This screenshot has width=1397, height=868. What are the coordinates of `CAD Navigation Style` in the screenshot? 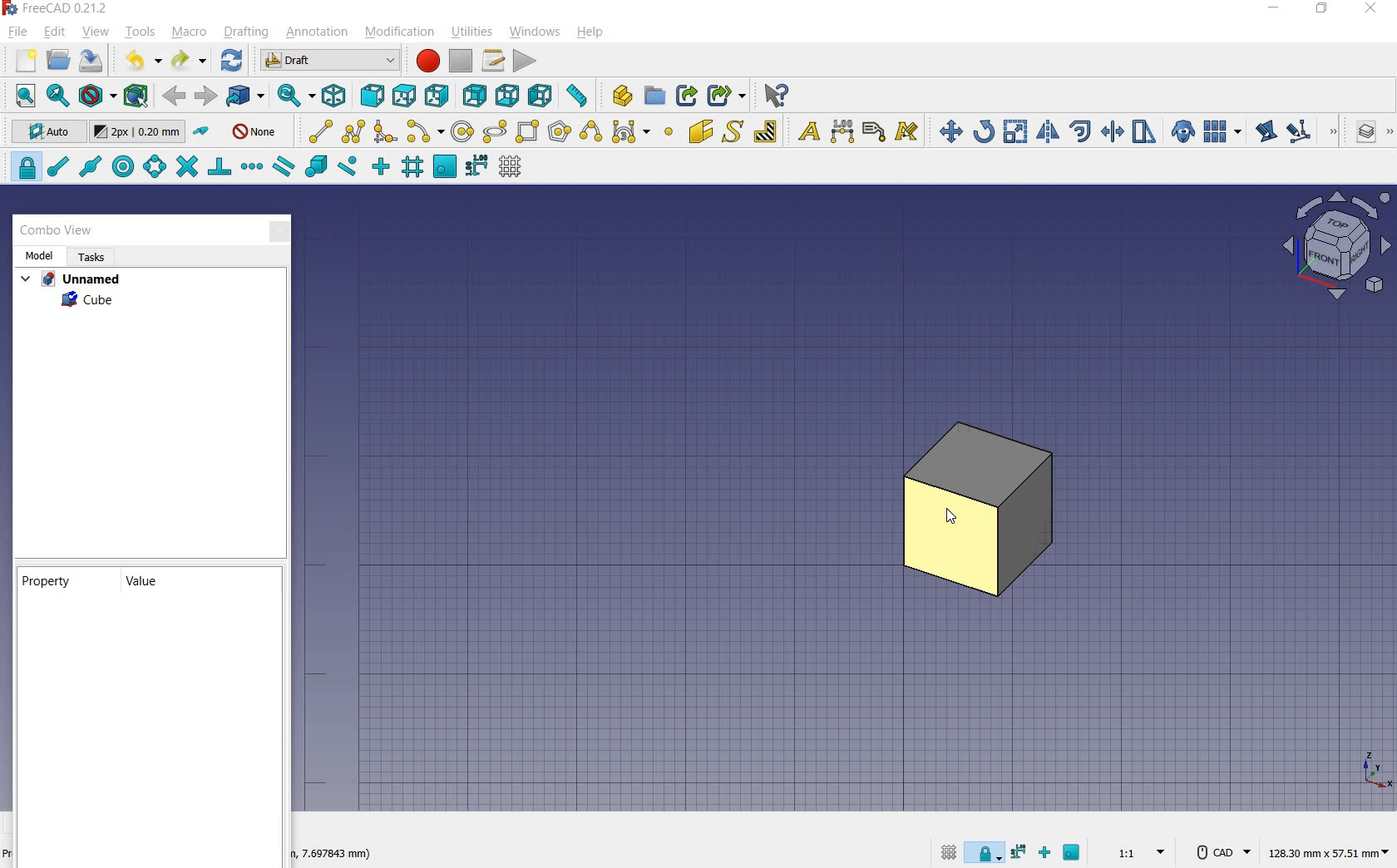 It's located at (1220, 851).